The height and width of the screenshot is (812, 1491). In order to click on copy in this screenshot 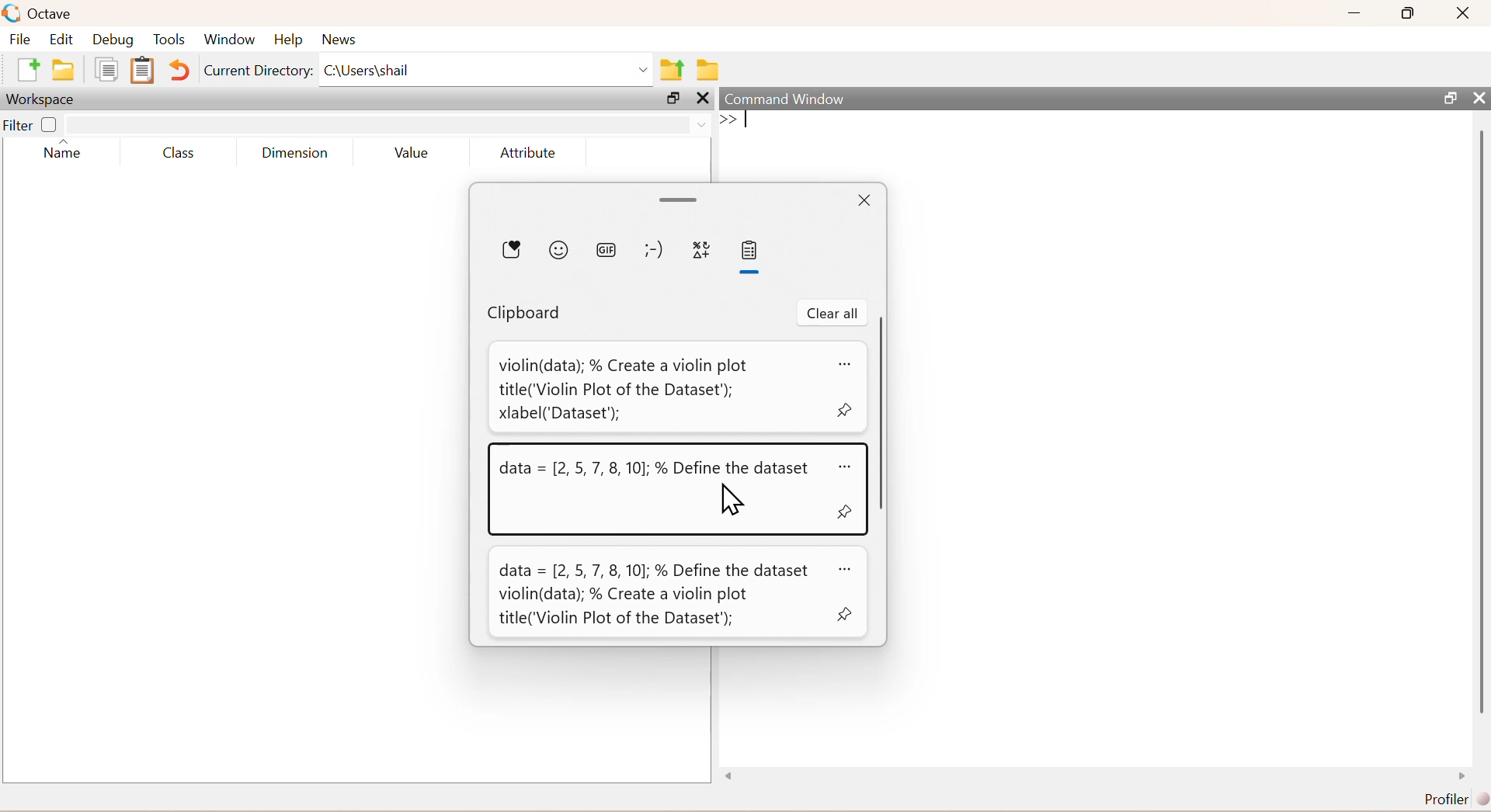, I will do `click(106, 69)`.